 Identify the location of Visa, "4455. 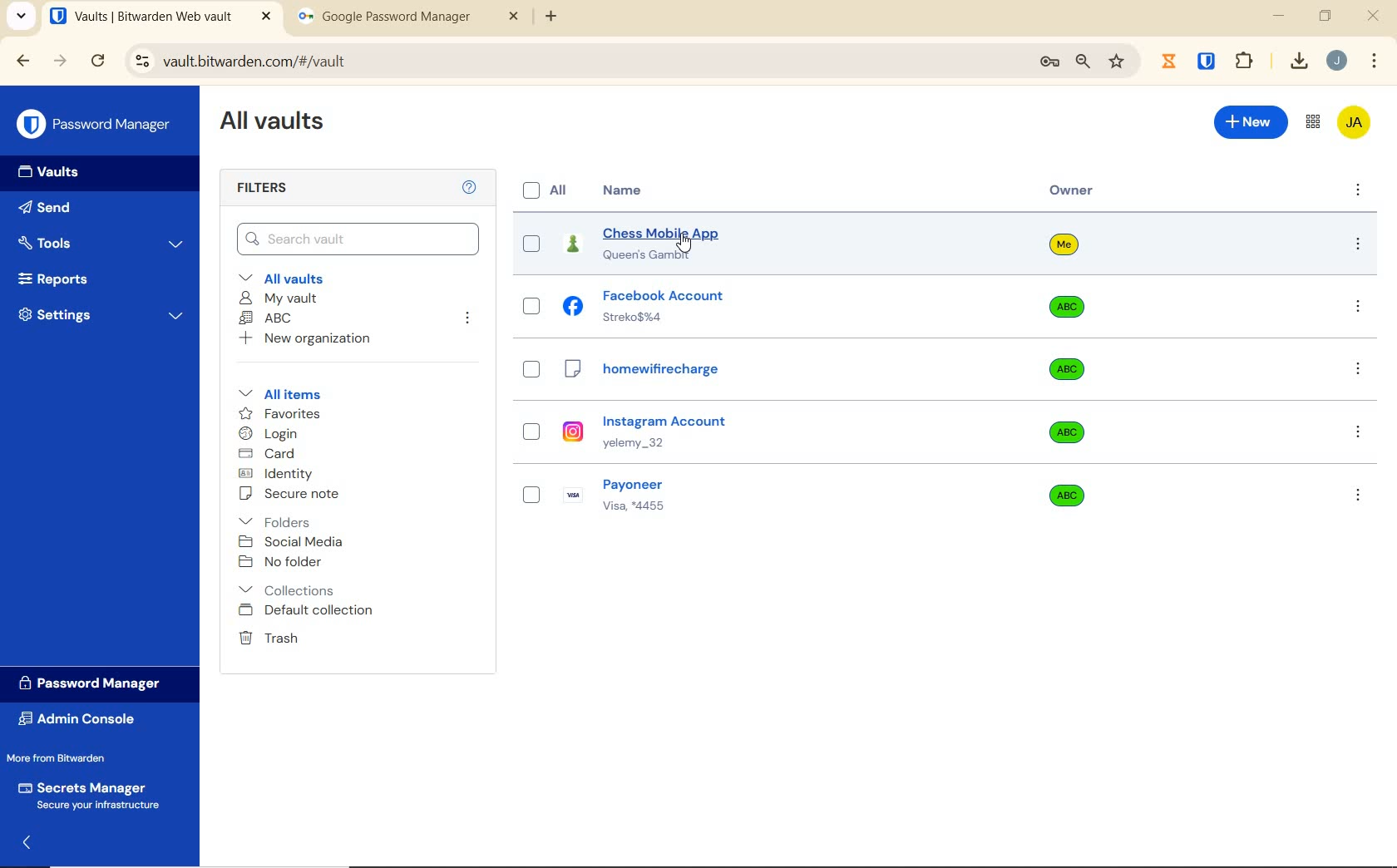
(645, 510).